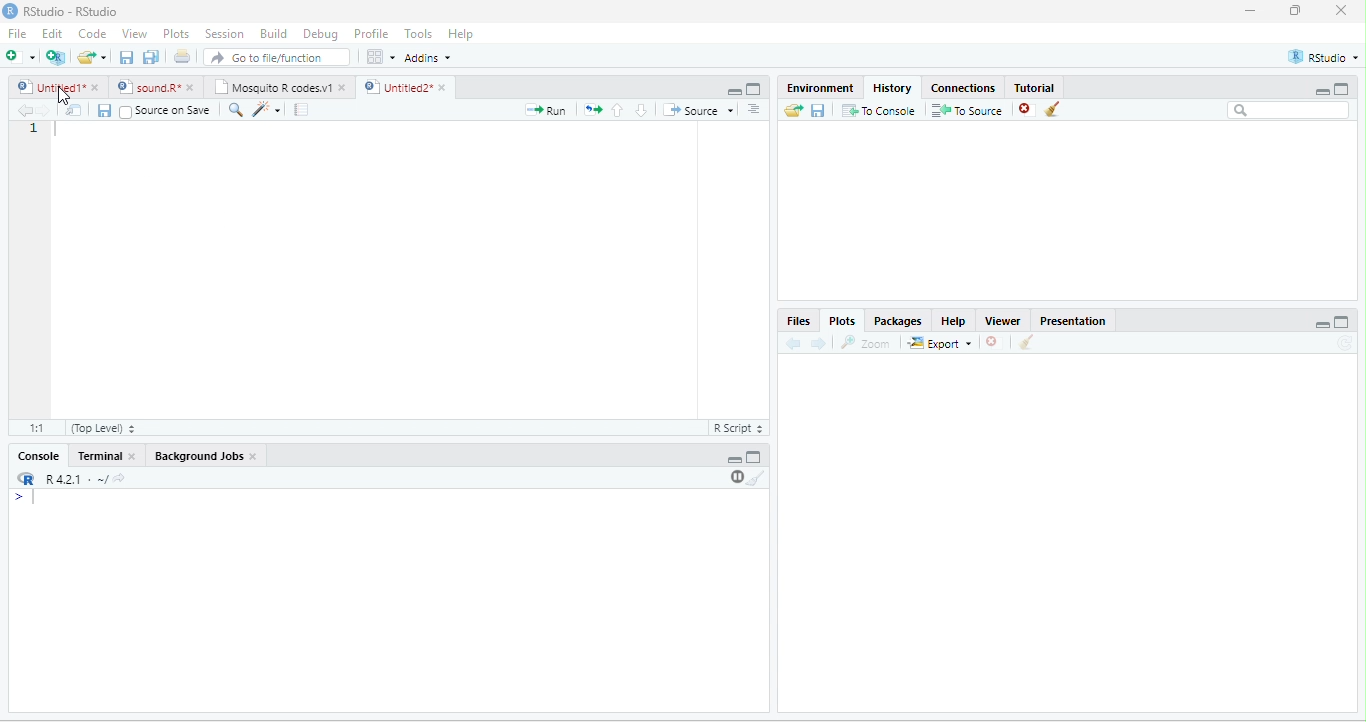 The width and height of the screenshot is (1366, 722). What do you see at coordinates (324, 35) in the screenshot?
I see `Debug` at bounding box center [324, 35].